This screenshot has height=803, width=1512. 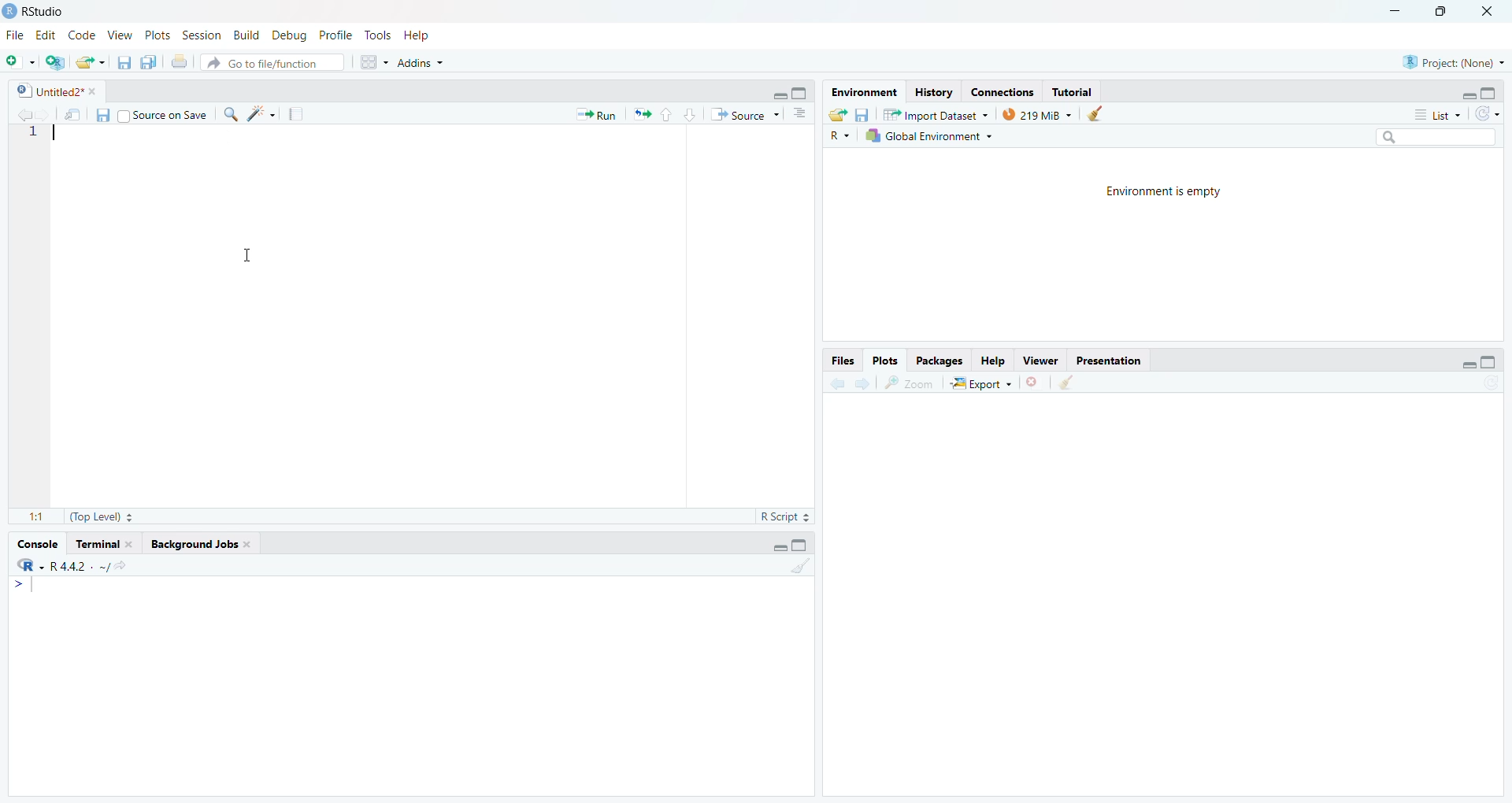 I want to click on Code Editor, so click(x=434, y=316).